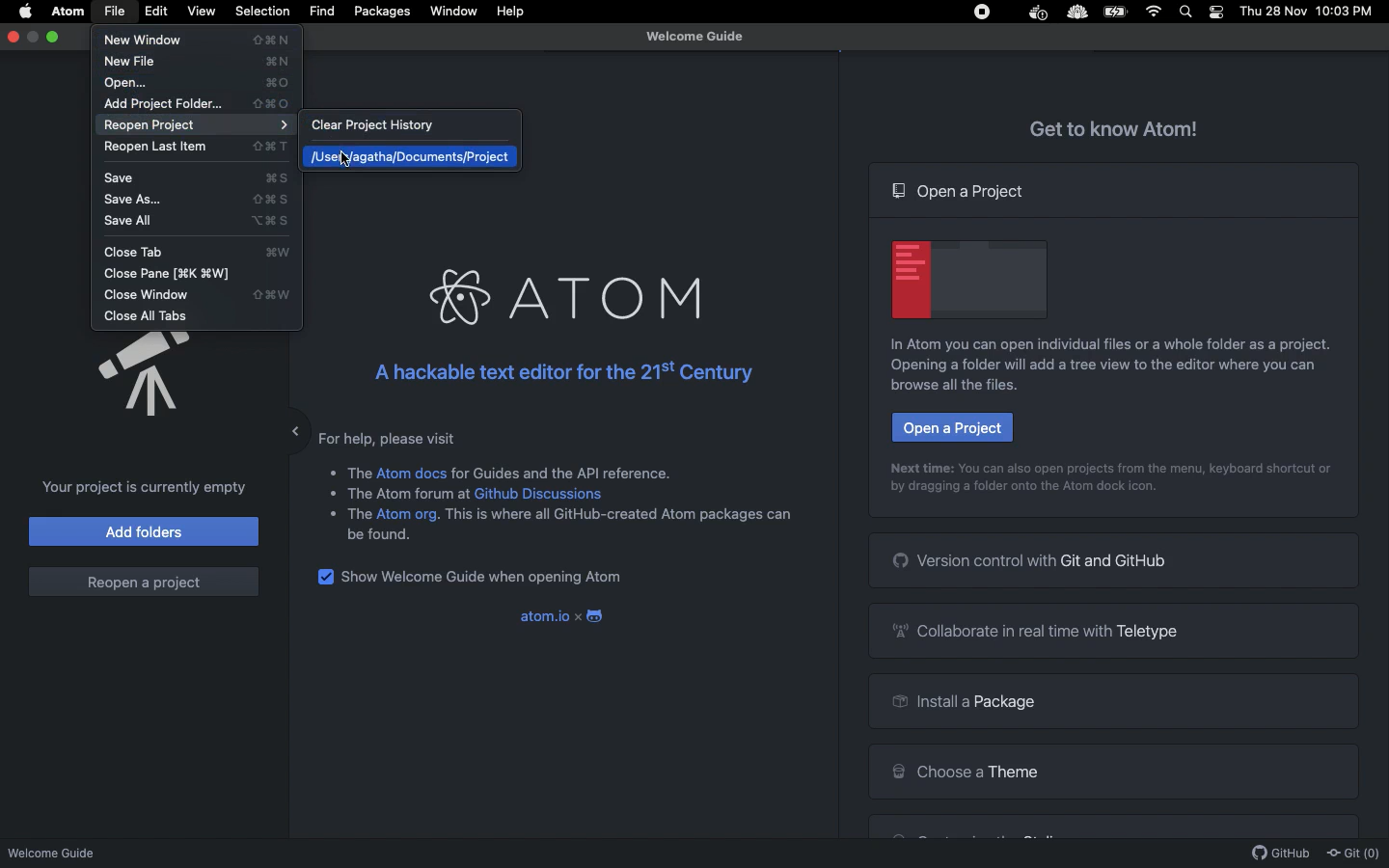  What do you see at coordinates (960, 704) in the screenshot?
I see `Install a package` at bounding box center [960, 704].